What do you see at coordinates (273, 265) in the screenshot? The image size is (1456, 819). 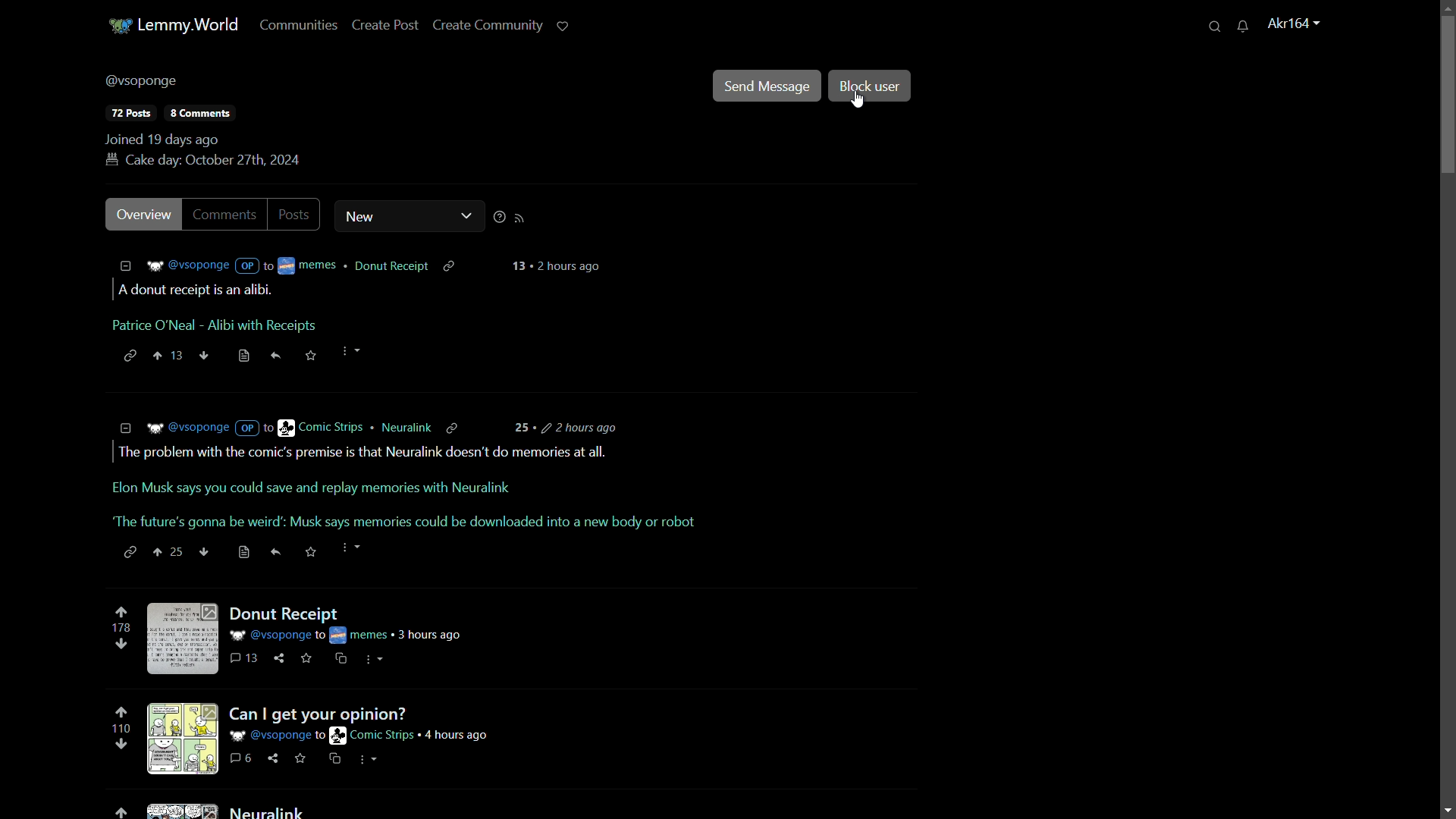 I see `details` at bounding box center [273, 265].